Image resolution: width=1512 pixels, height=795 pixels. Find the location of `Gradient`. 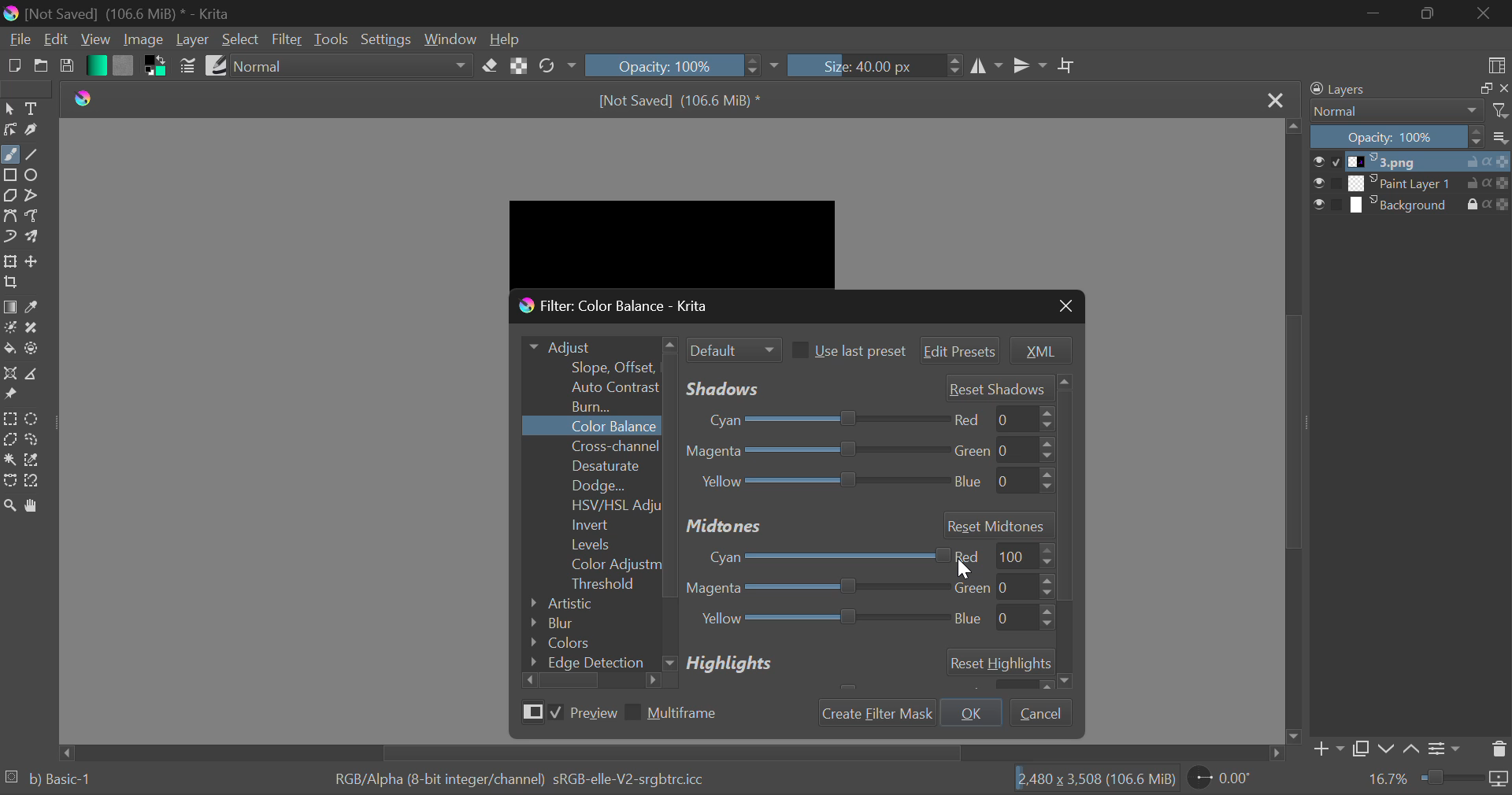

Gradient is located at coordinates (95, 66).